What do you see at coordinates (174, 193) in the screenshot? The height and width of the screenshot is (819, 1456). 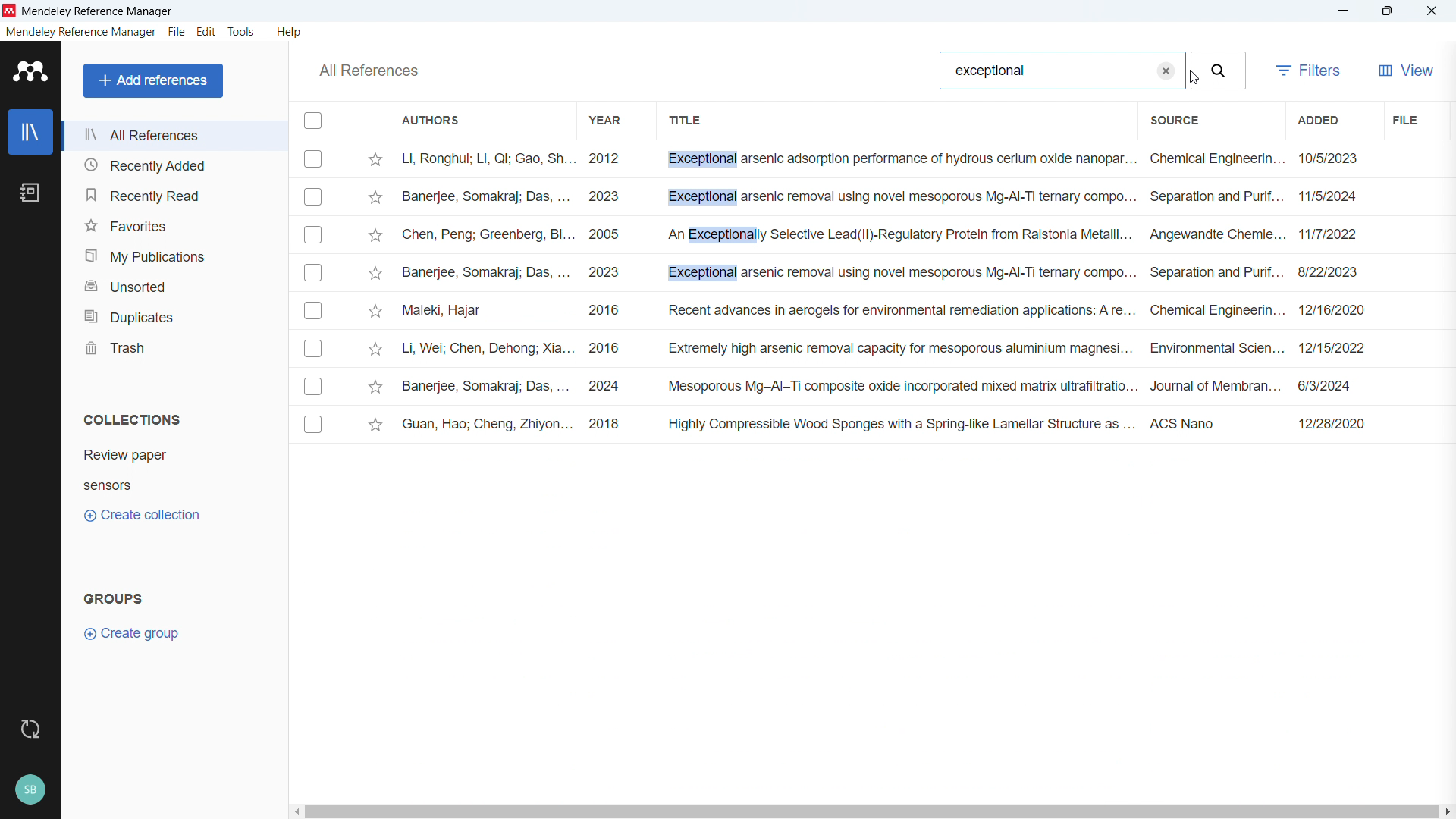 I see `Recently read ` at bounding box center [174, 193].